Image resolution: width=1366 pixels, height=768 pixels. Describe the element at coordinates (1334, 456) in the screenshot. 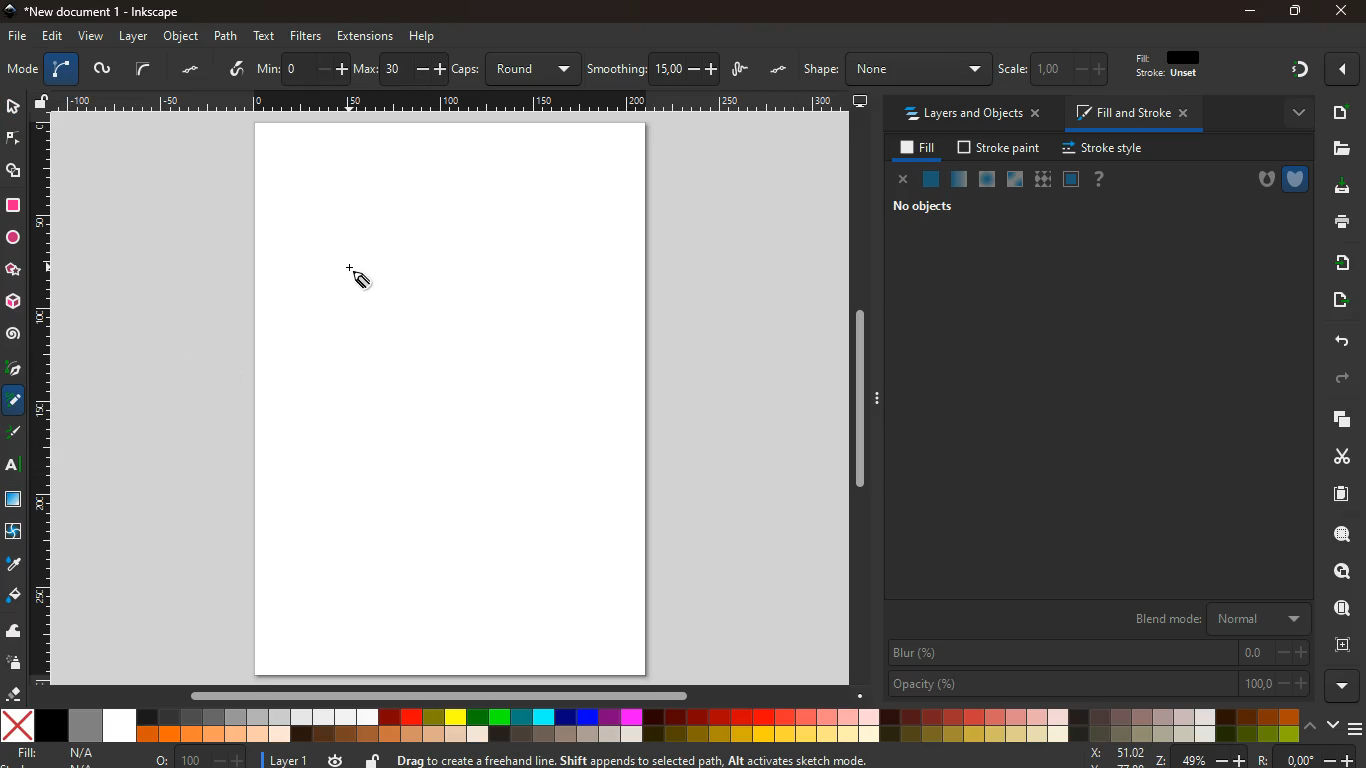

I see `cut` at that location.